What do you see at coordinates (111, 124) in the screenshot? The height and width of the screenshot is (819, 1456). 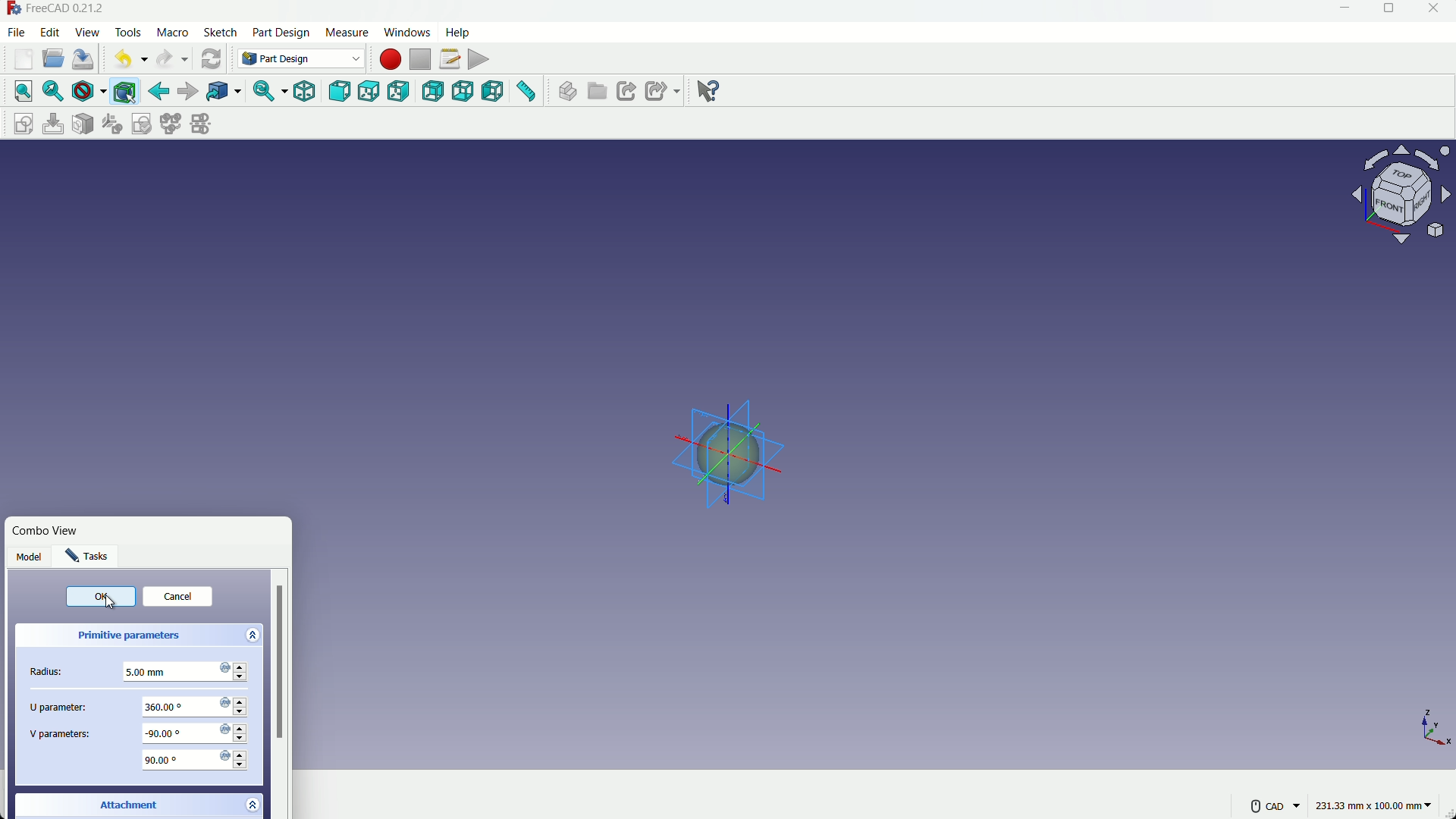 I see `reorient sketch` at bounding box center [111, 124].